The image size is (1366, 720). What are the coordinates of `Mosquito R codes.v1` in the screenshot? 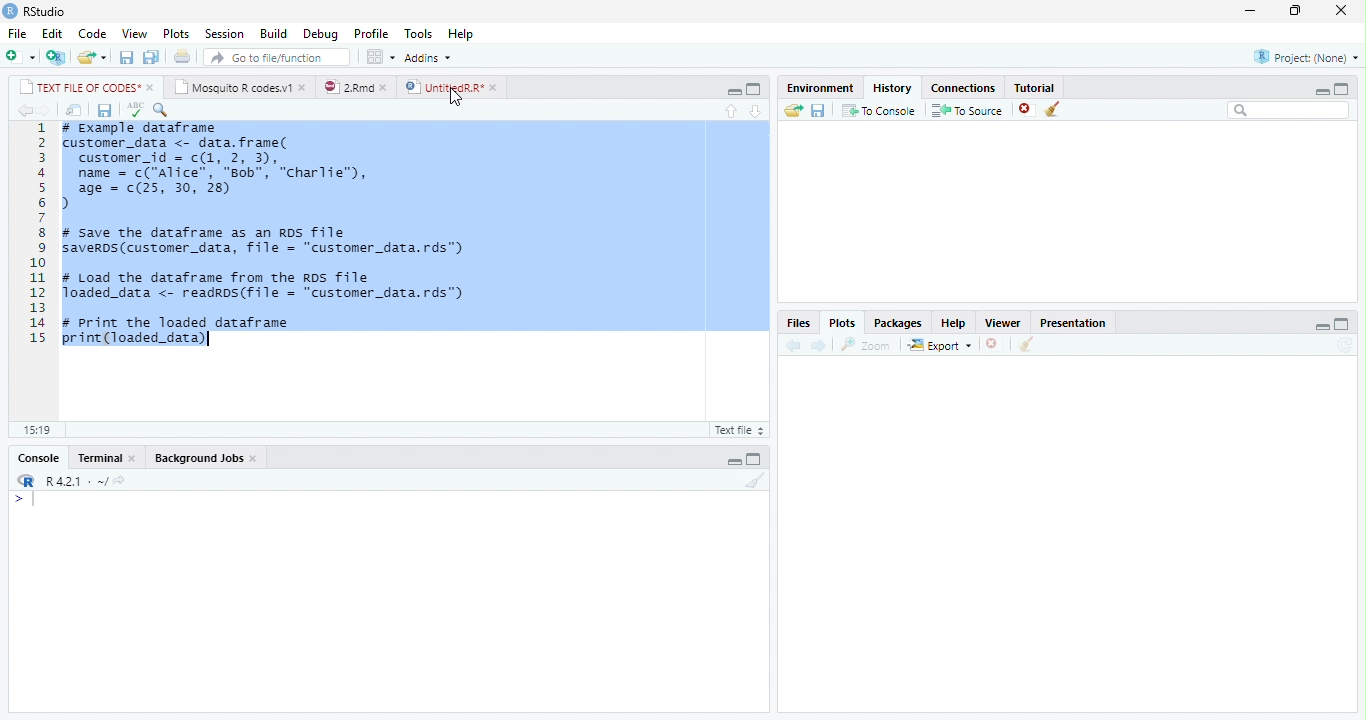 It's located at (232, 87).